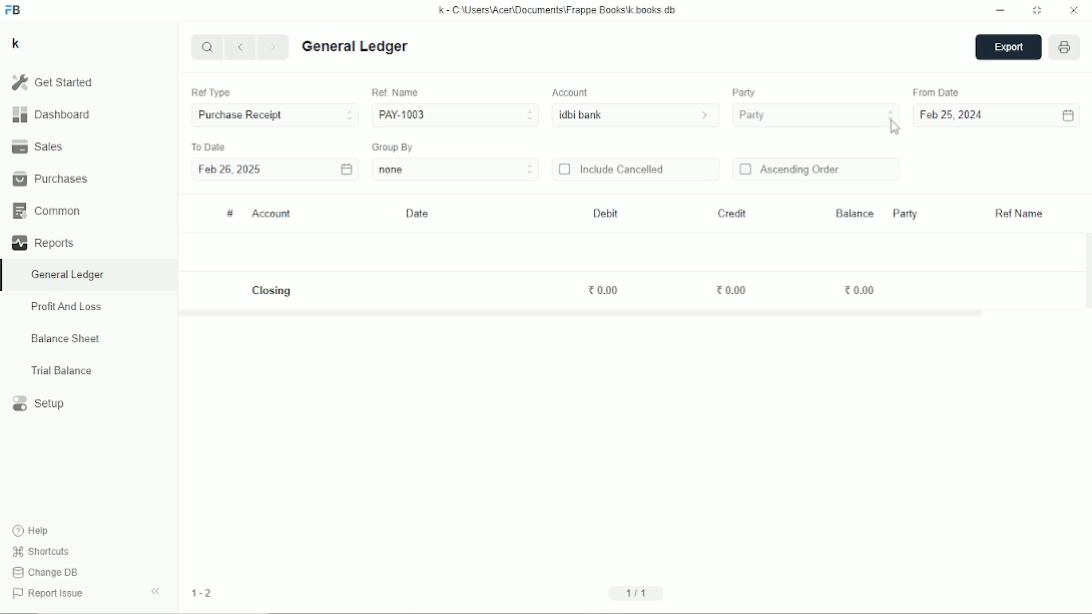  Describe the element at coordinates (156, 592) in the screenshot. I see `Hide sidebar` at that location.